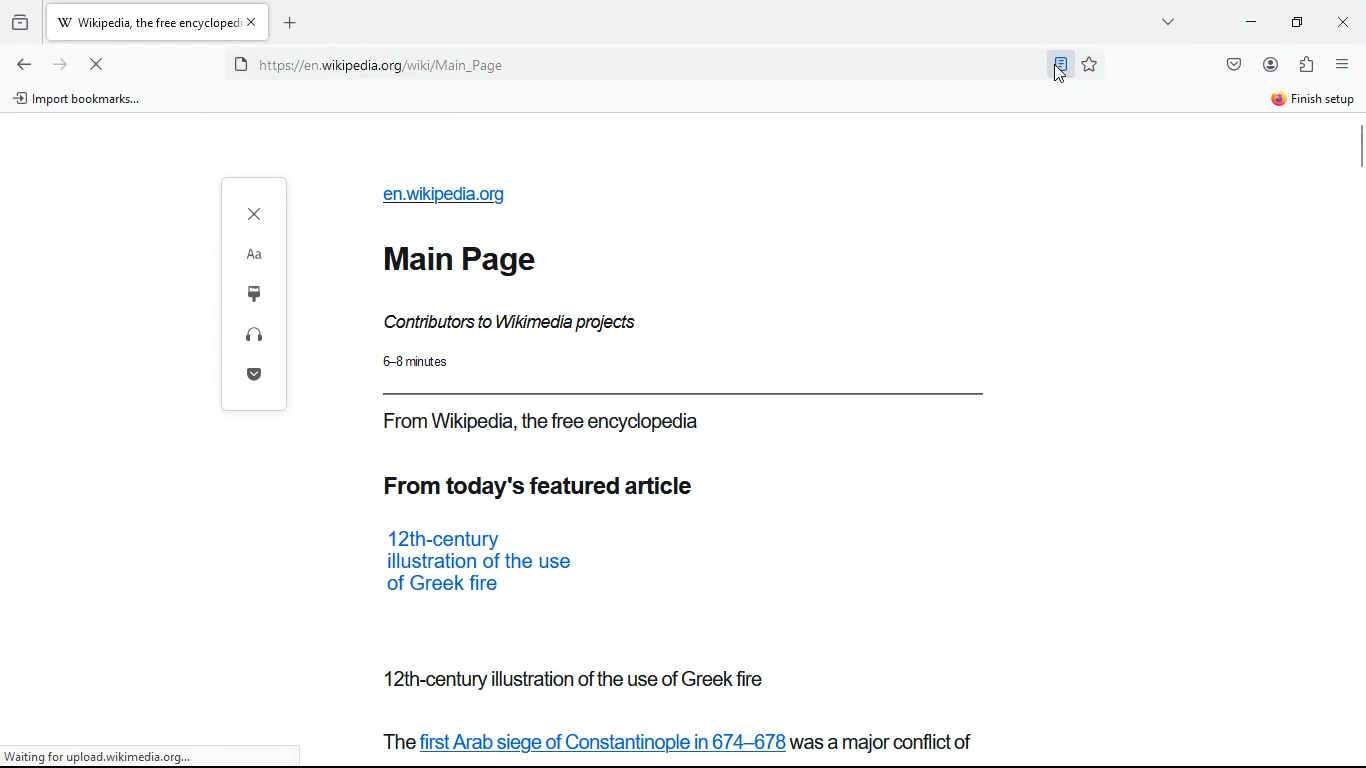 Image resolution: width=1366 pixels, height=768 pixels. Describe the element at coordinates (690, 741) in the screenshot. I see `from today featured action` at that location.